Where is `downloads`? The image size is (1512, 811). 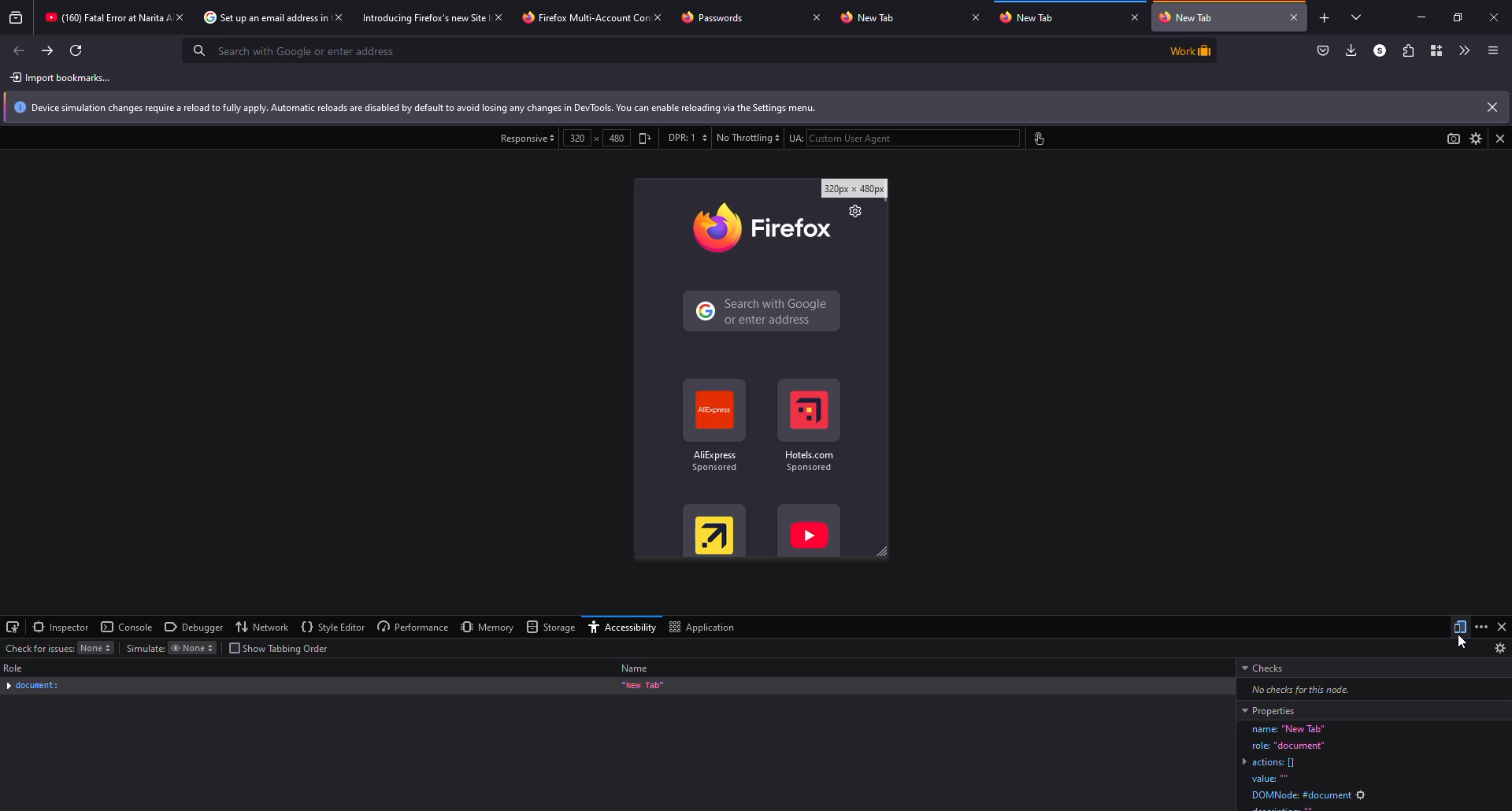 downloads is located at coordinates (1350, 50).